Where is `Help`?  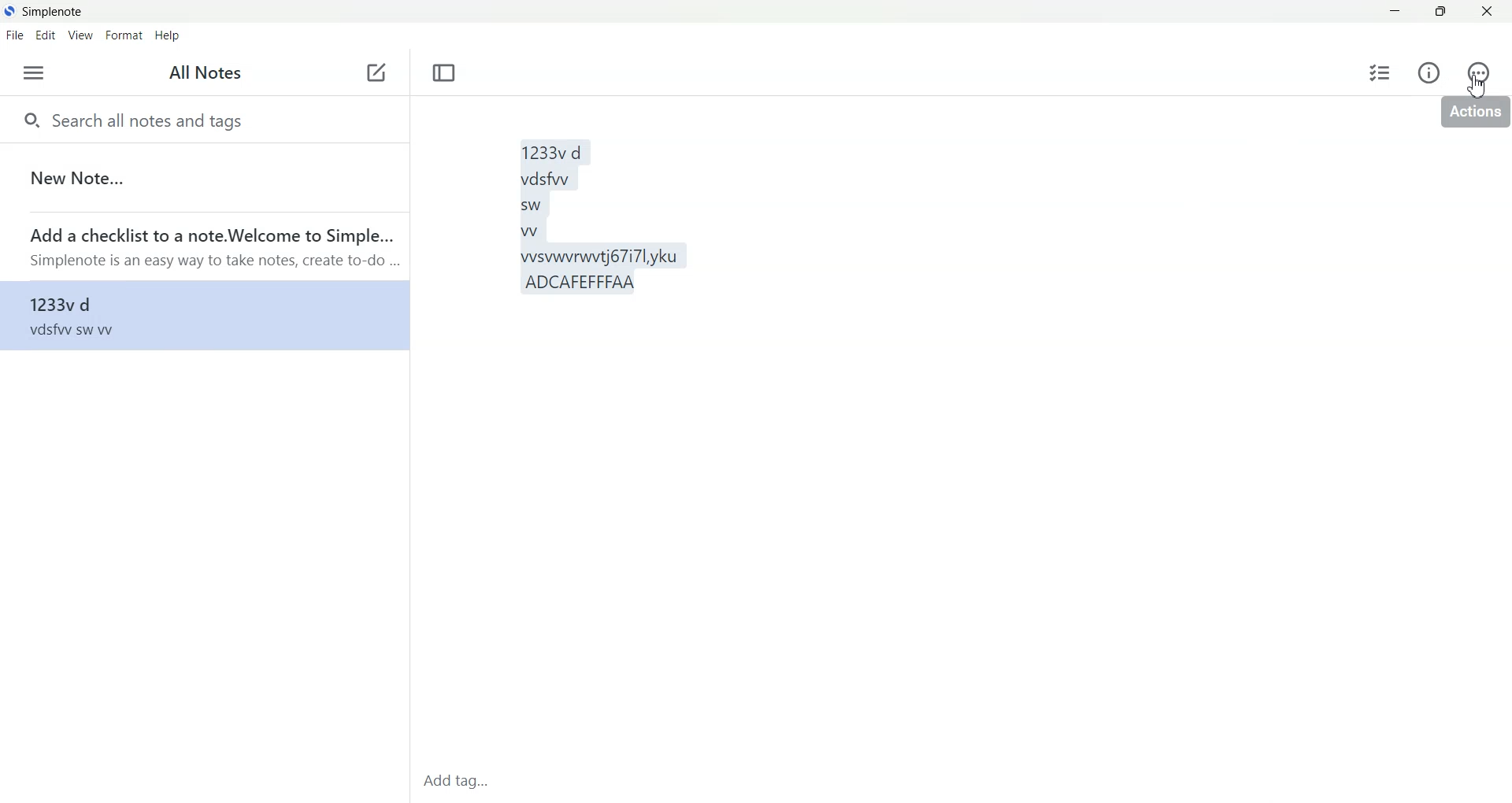 Help is located at coordinates (170, 36).